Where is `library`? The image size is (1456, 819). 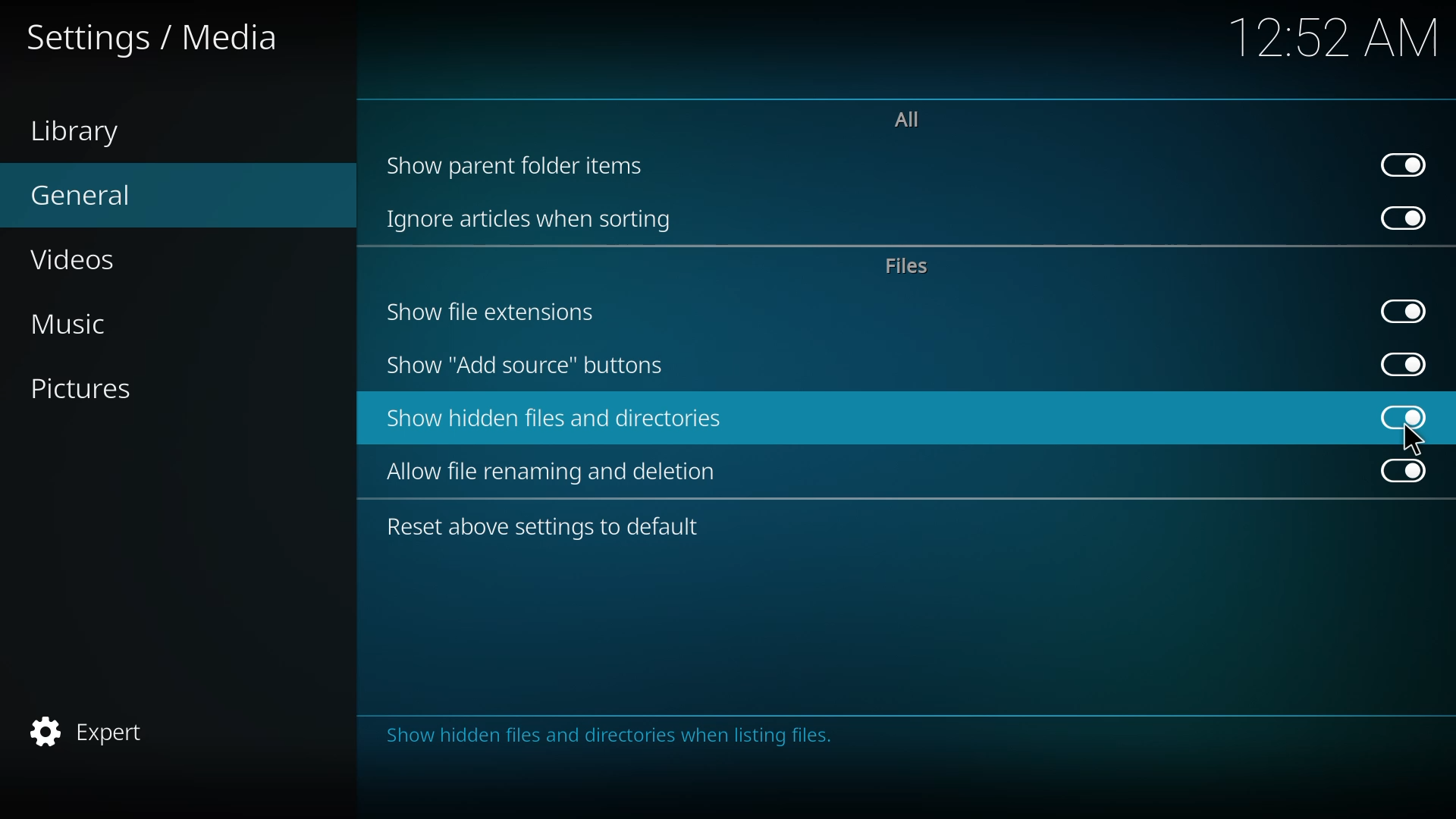
library is located at coordinates (83, 133).